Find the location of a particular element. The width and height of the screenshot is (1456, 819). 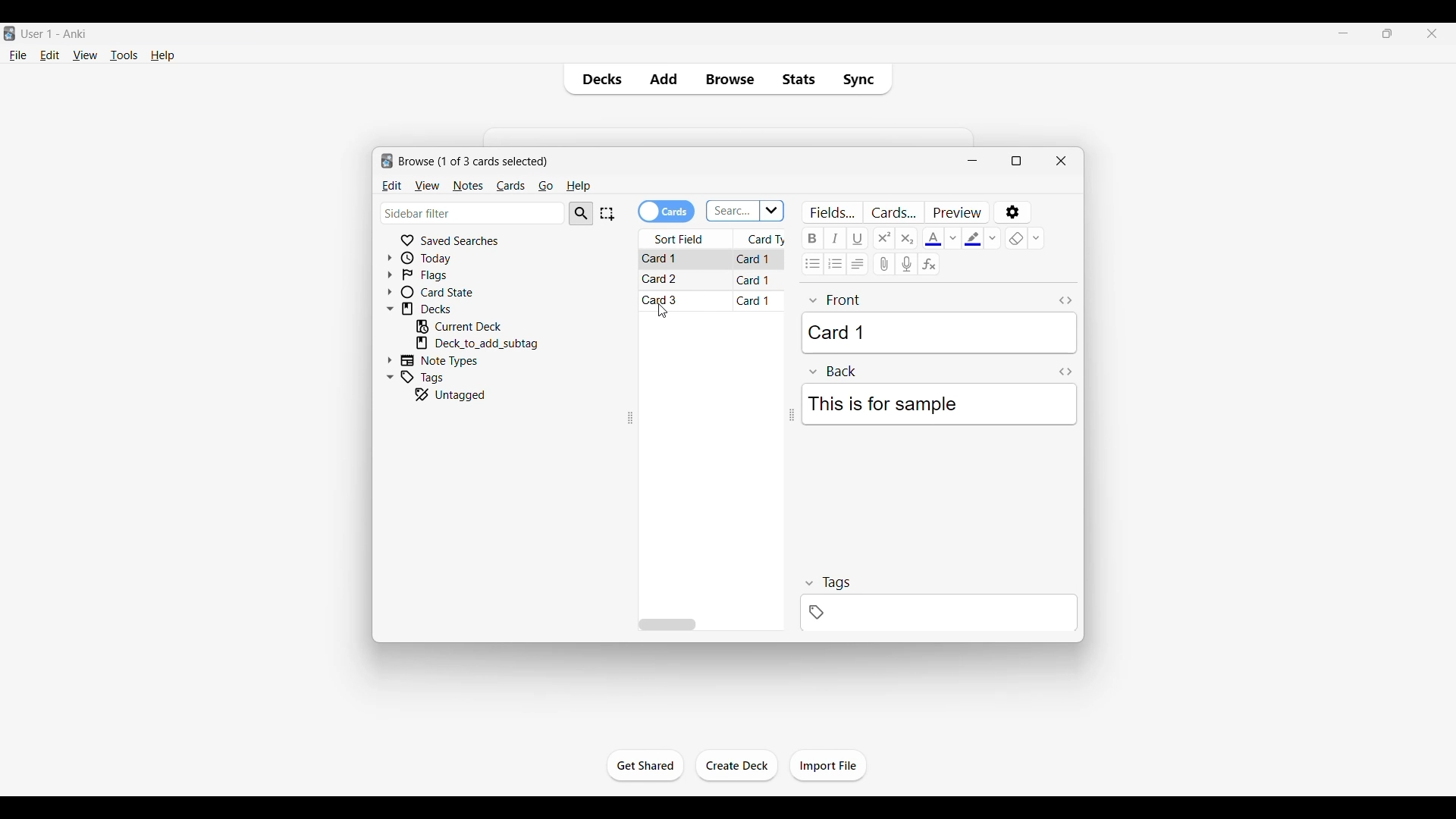

Stats is located at coordinates (797, 79).